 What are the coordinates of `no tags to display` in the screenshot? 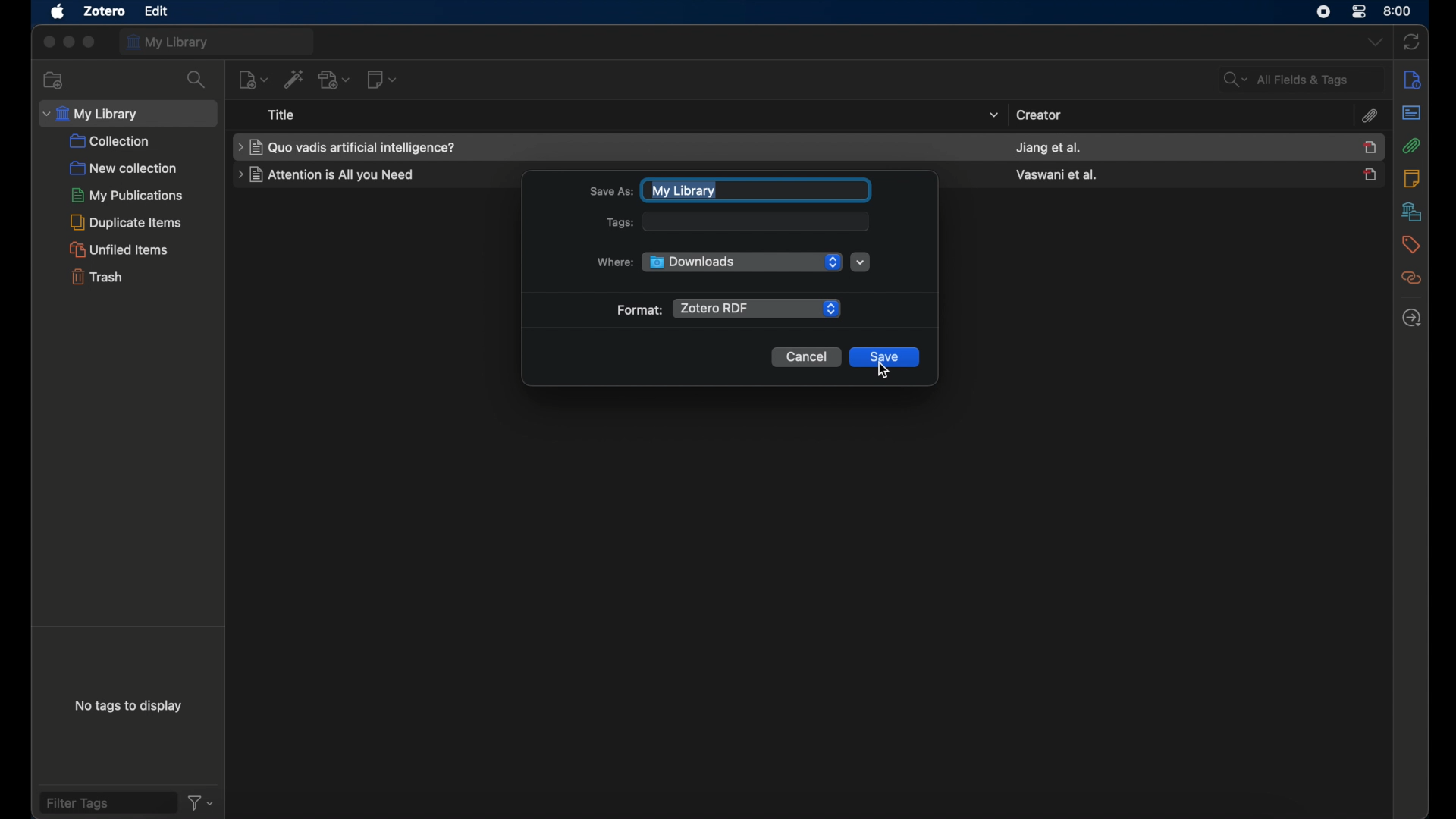 It's located at (129, 709).